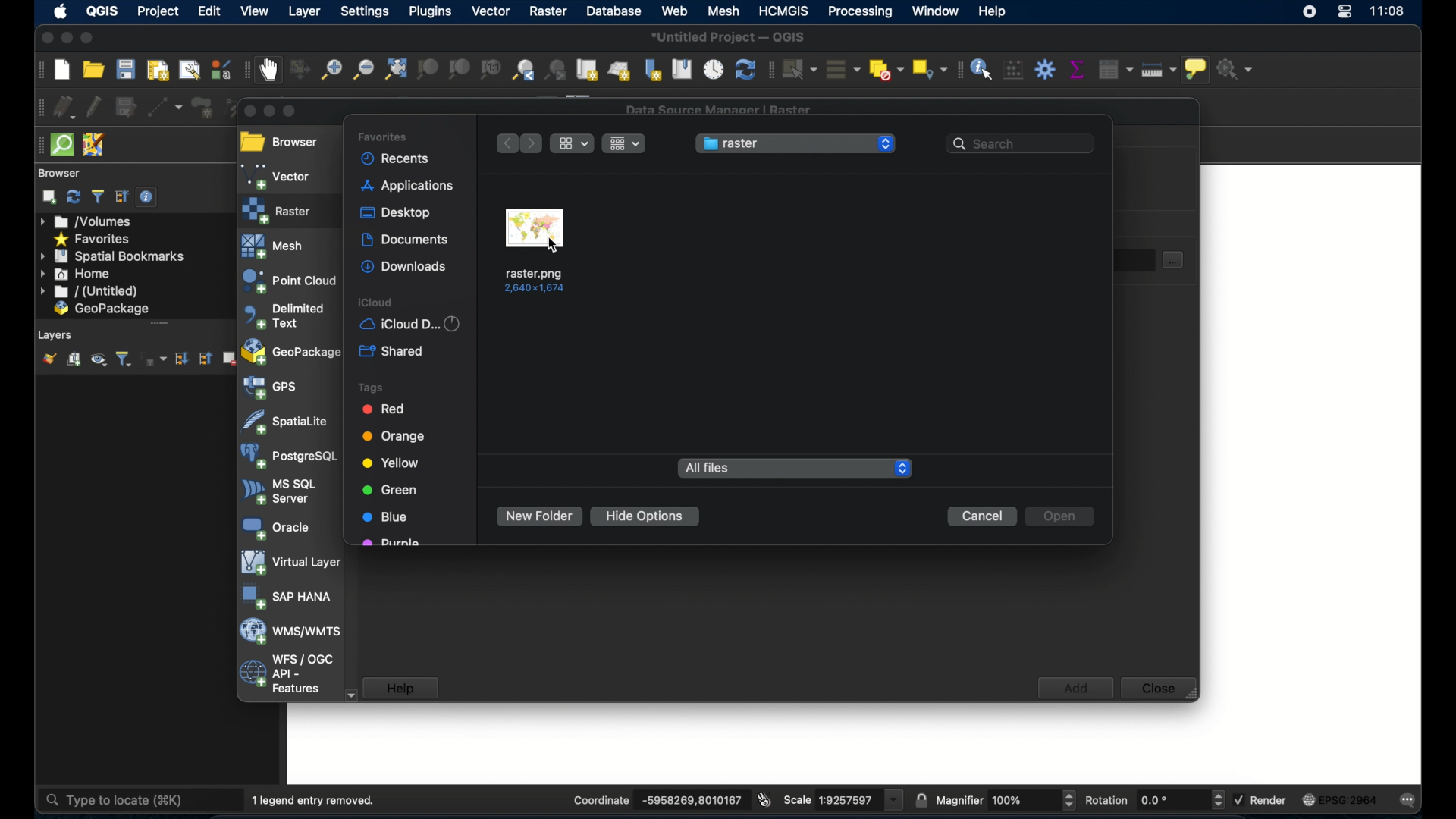 This screenshot has height=819, width=1456. Describe the element at coordinates (290, 561) in the screenshot. I see `virtual layer` at that location.